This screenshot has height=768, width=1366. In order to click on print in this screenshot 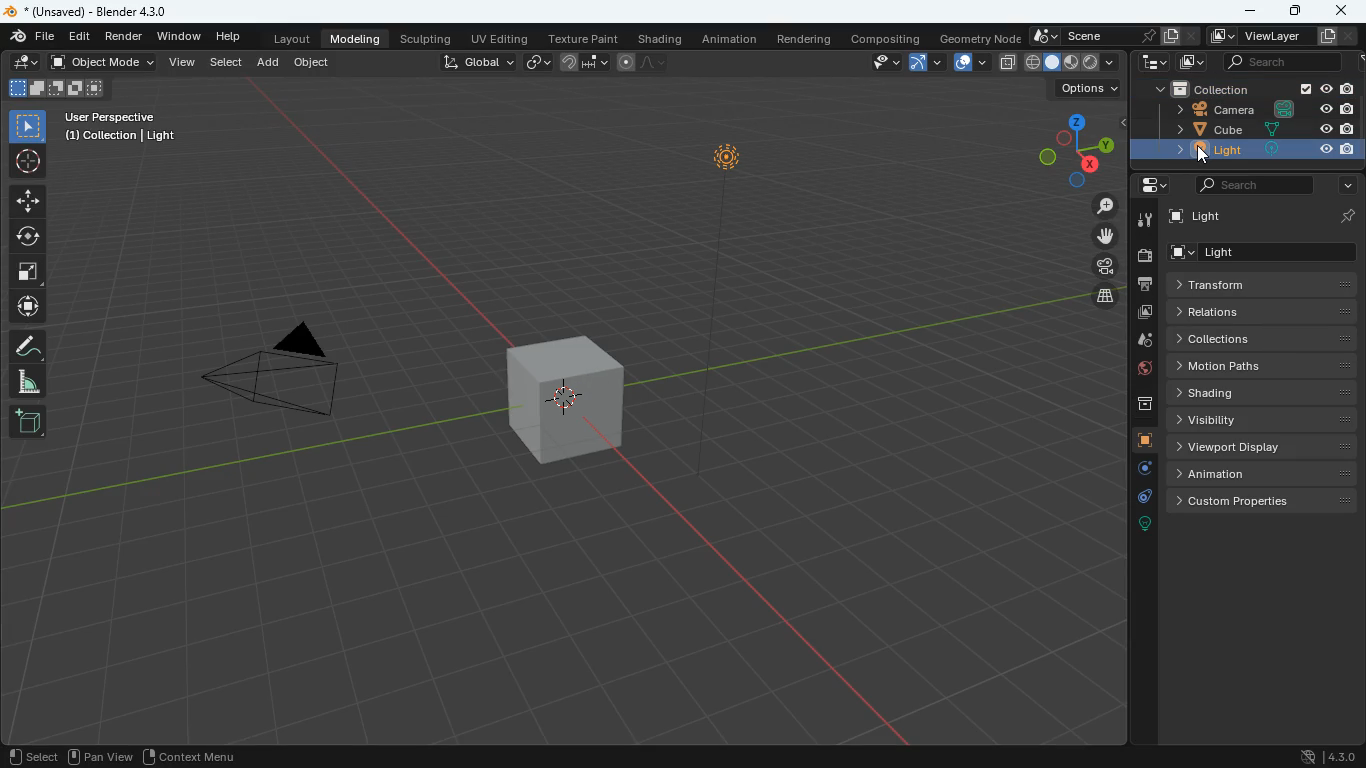, I will do `click(1147, 286)`.